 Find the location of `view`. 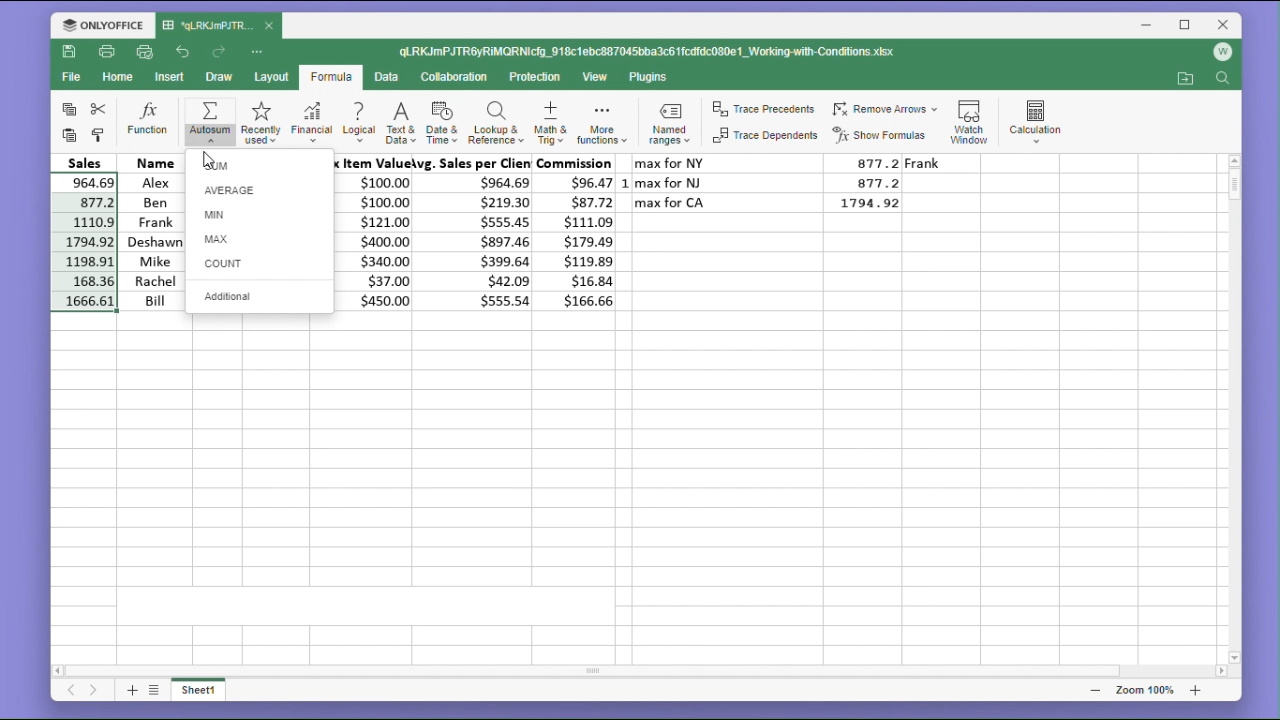

view is located at coordinates (597, 78).